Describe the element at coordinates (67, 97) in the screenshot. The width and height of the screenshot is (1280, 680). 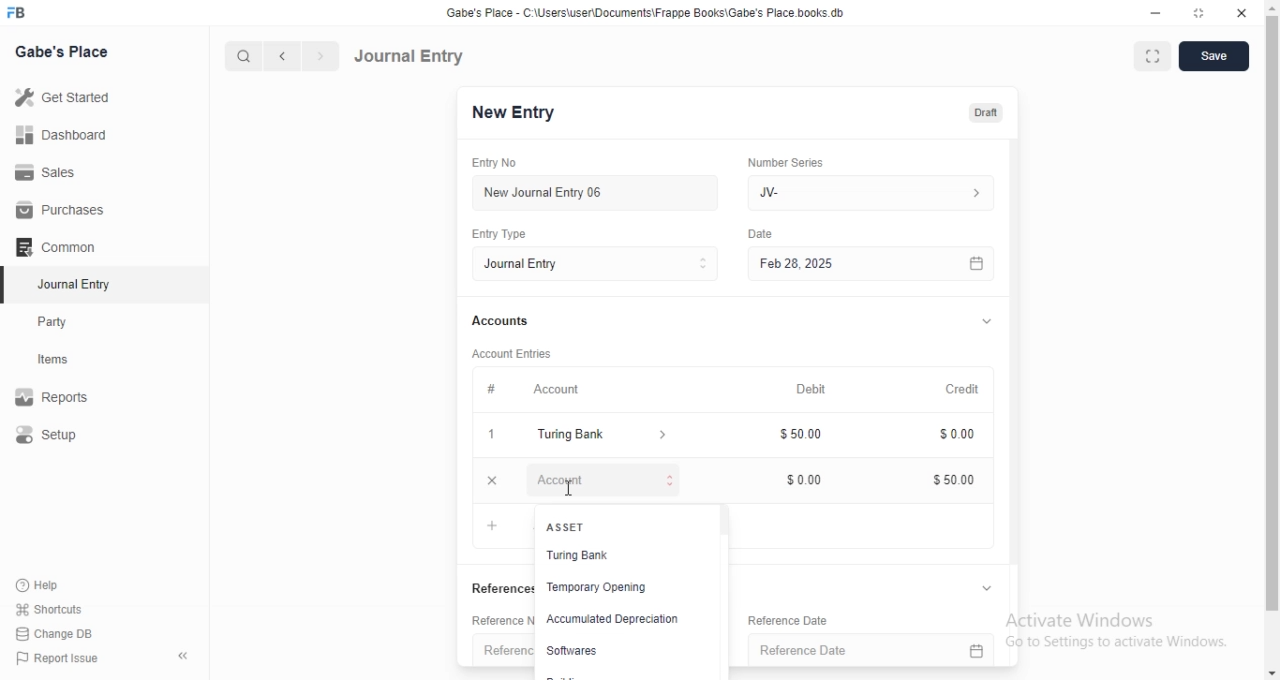
I see `Get Started` at that location.